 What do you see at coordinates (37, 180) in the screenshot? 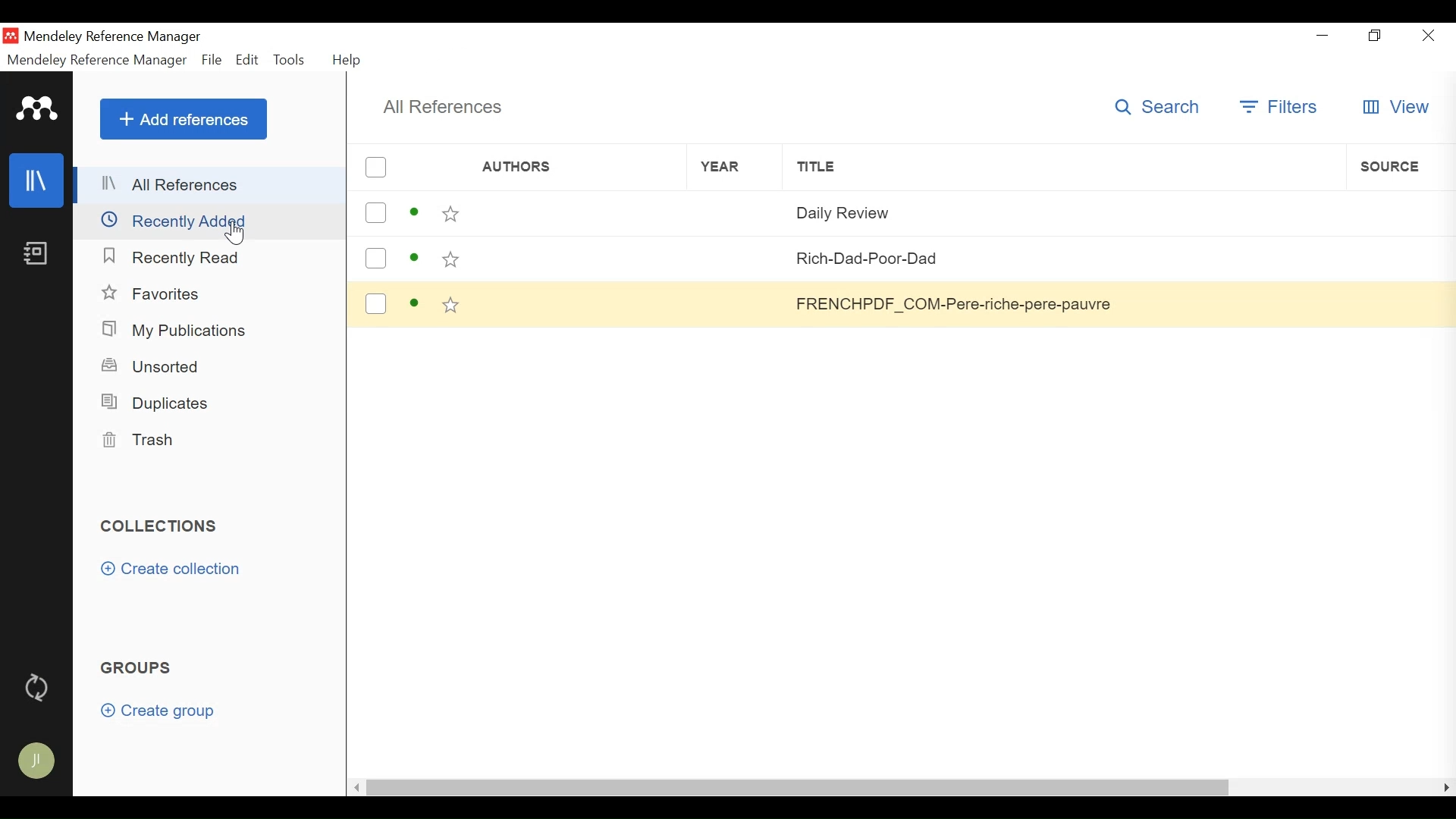
I see `Library` at bounding box center [37, 180].